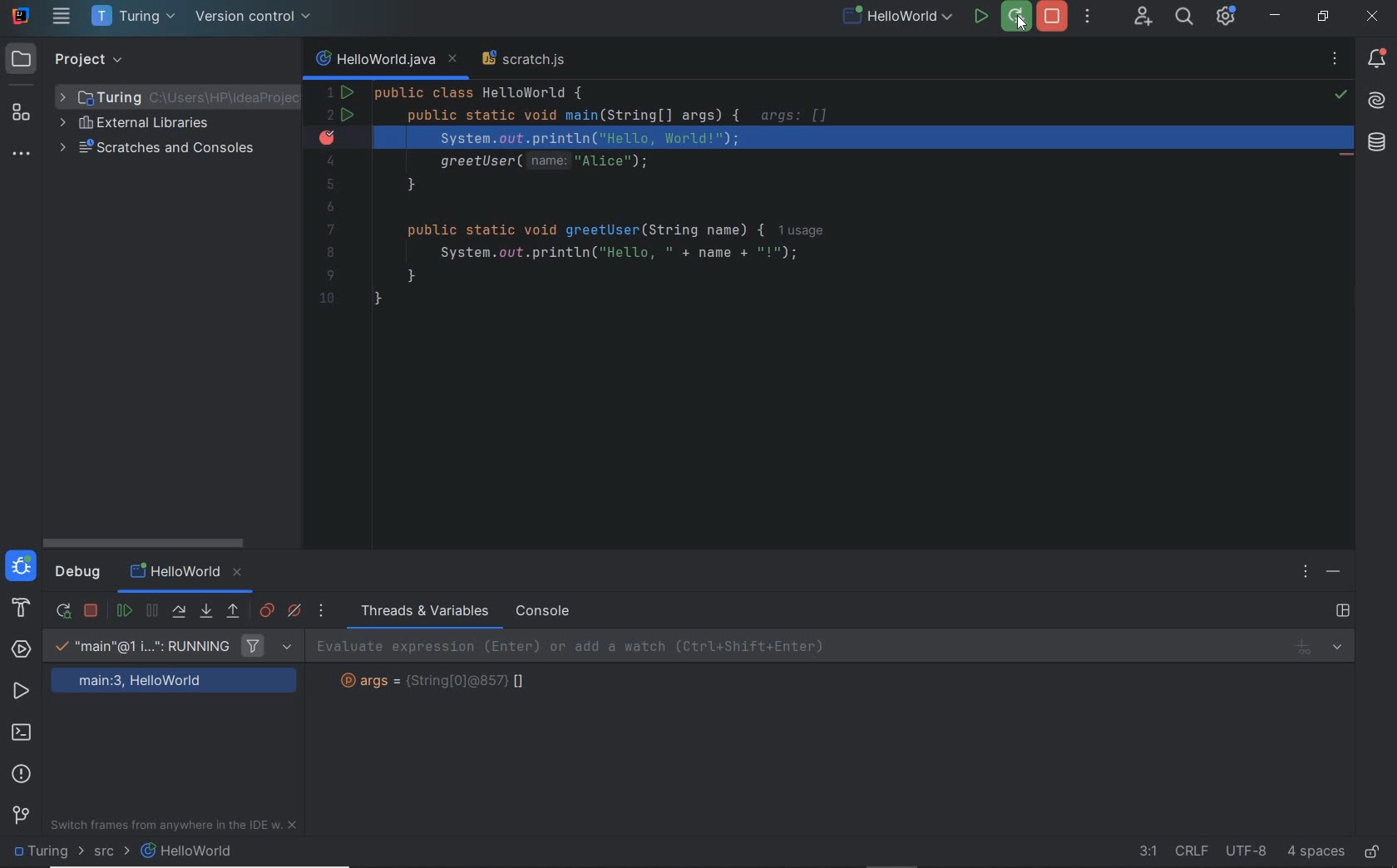 This screenshot has width=1397, height=868. What do you see at coordinates (150, 540) in the screenshot?
I see `scroll bar` at bounding box center [150, 540].